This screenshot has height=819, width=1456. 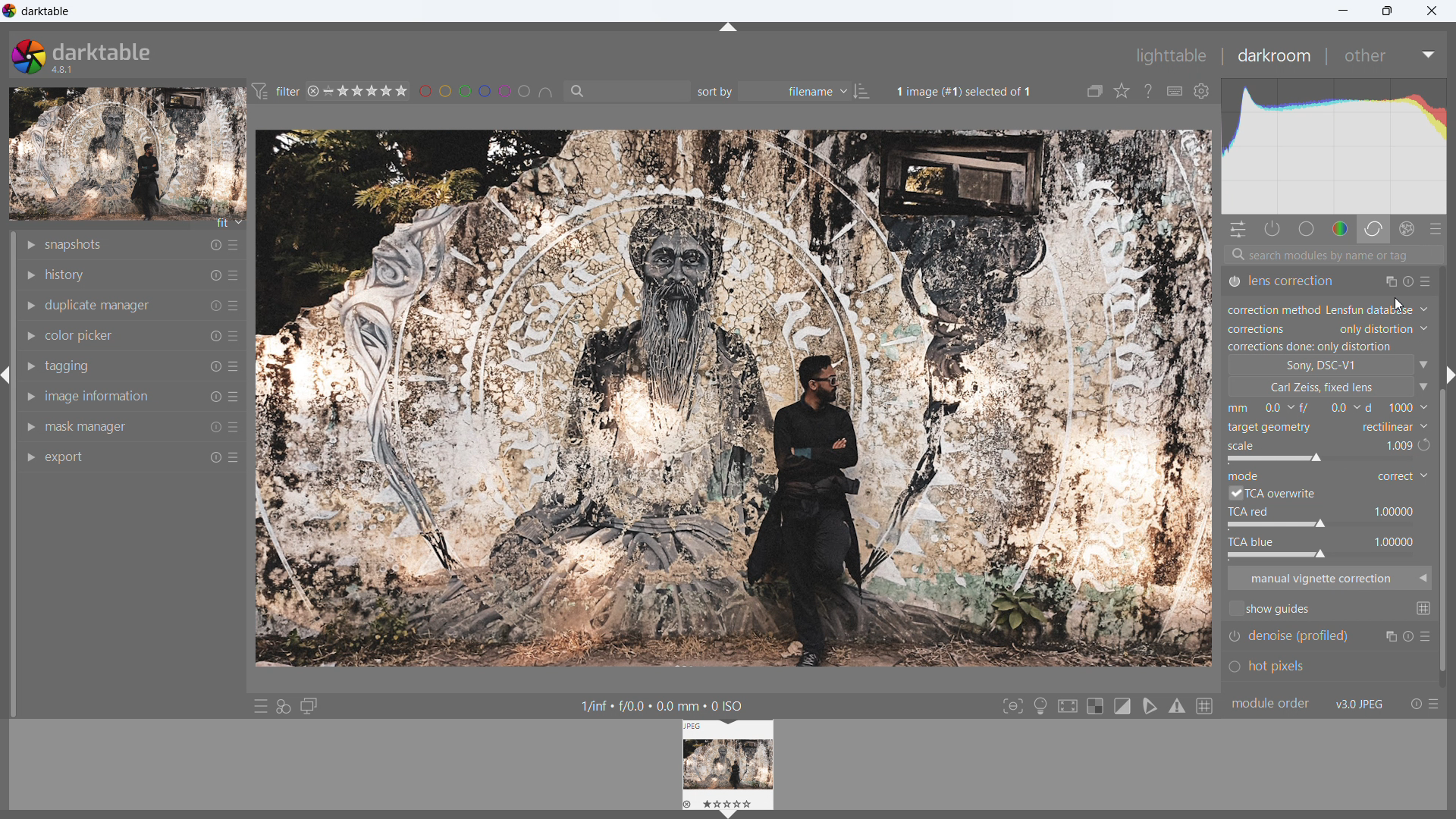 What do you see at coordinates (1040, 705) in the screenshot?
I see `toggle ISO 12646 color assessment conditions` at bounding box center [1040, 705].